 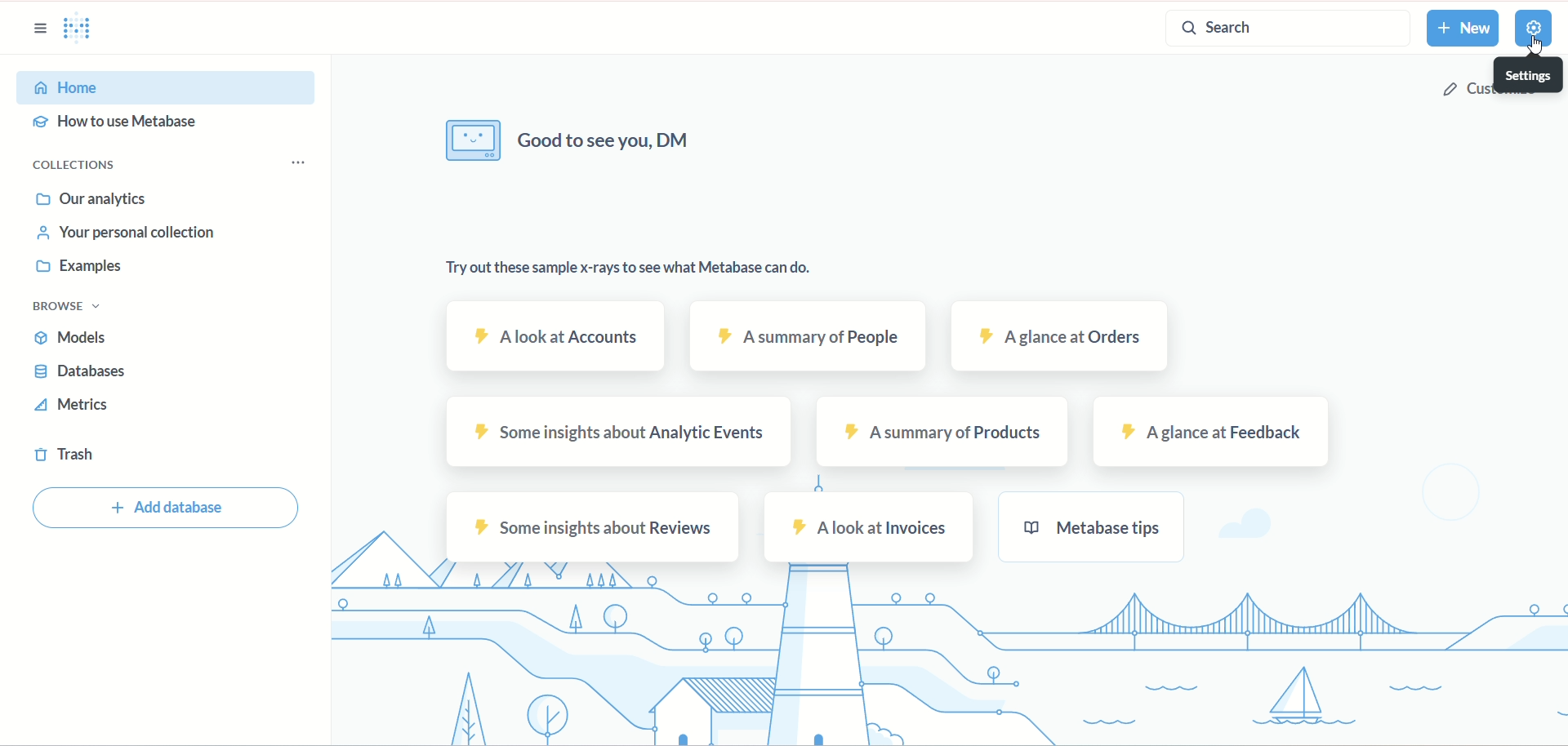 What do you see at coordinates (1531, 48) in the screenshot?
I see `cursor` at bounding box center [1531, 48].